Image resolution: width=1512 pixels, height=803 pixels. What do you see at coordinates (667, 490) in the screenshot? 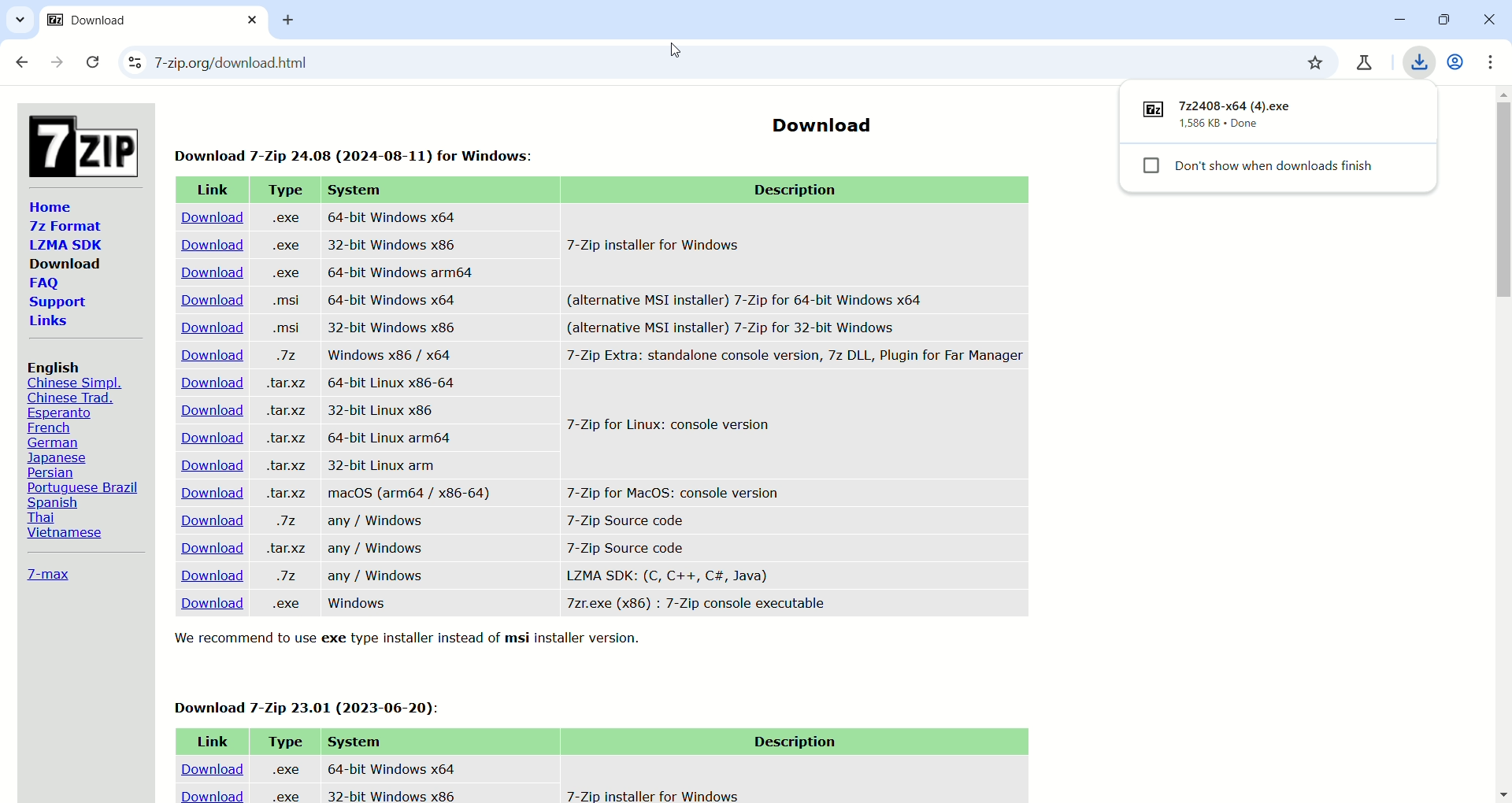
I see `7-Zip for MacOS: console version` at bounding box center [667, 490].